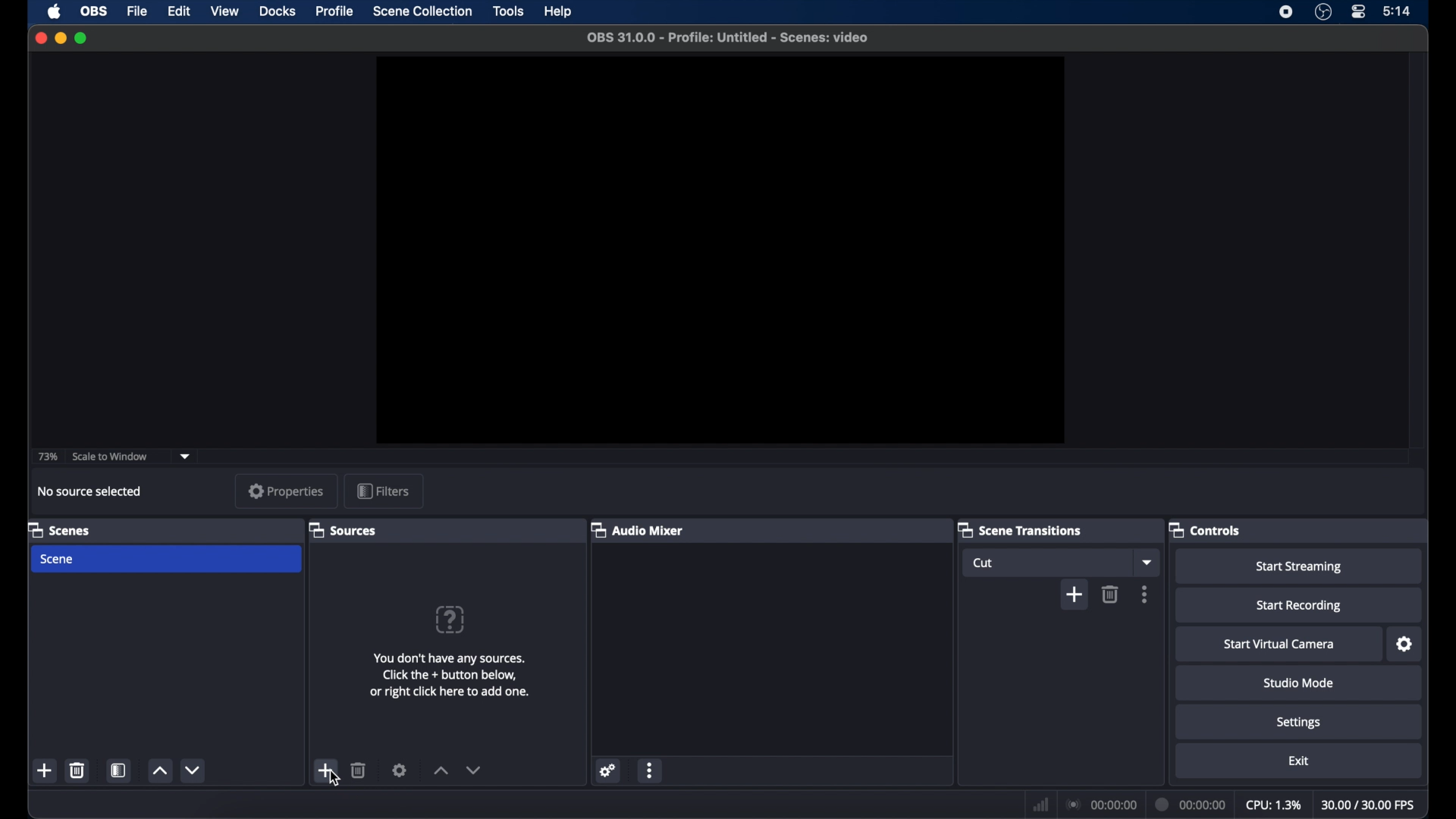 This screenshot has height=819, width=1456. What do you see at coordinates (607, 770) in the screenshot?
I see `settings` at bounding box center [607, 770].